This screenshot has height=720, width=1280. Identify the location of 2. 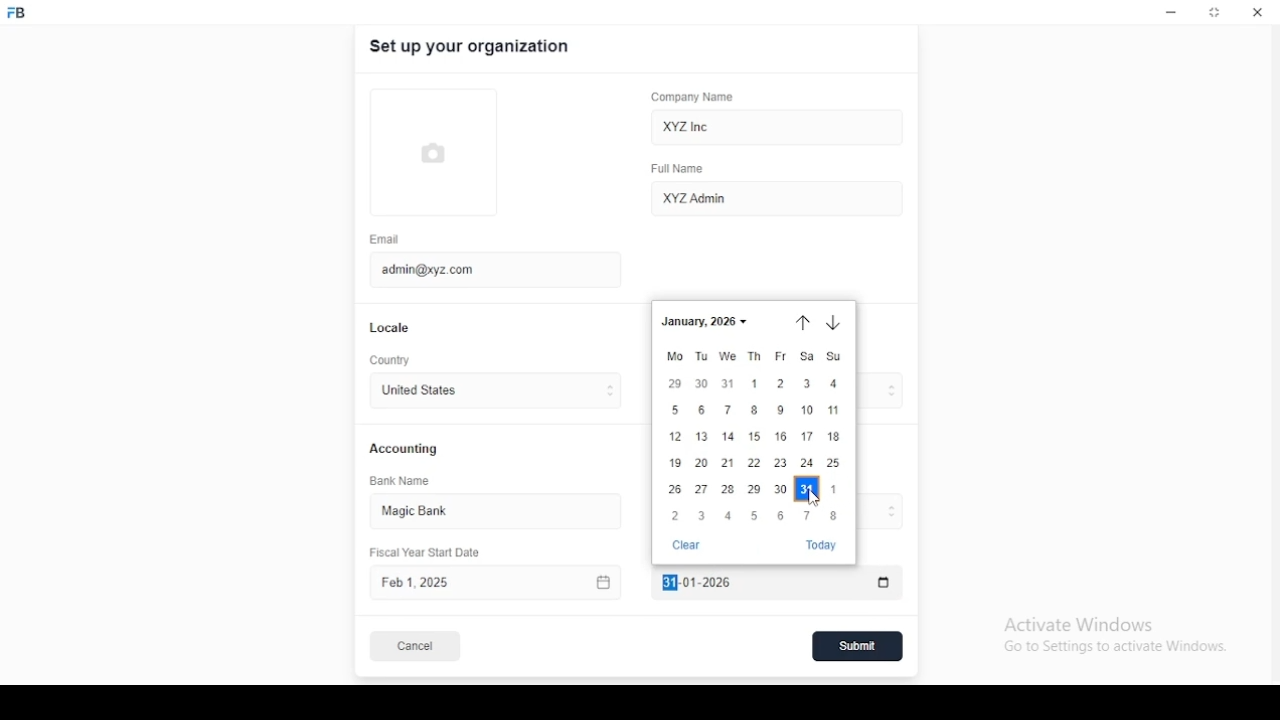
(779, 385).